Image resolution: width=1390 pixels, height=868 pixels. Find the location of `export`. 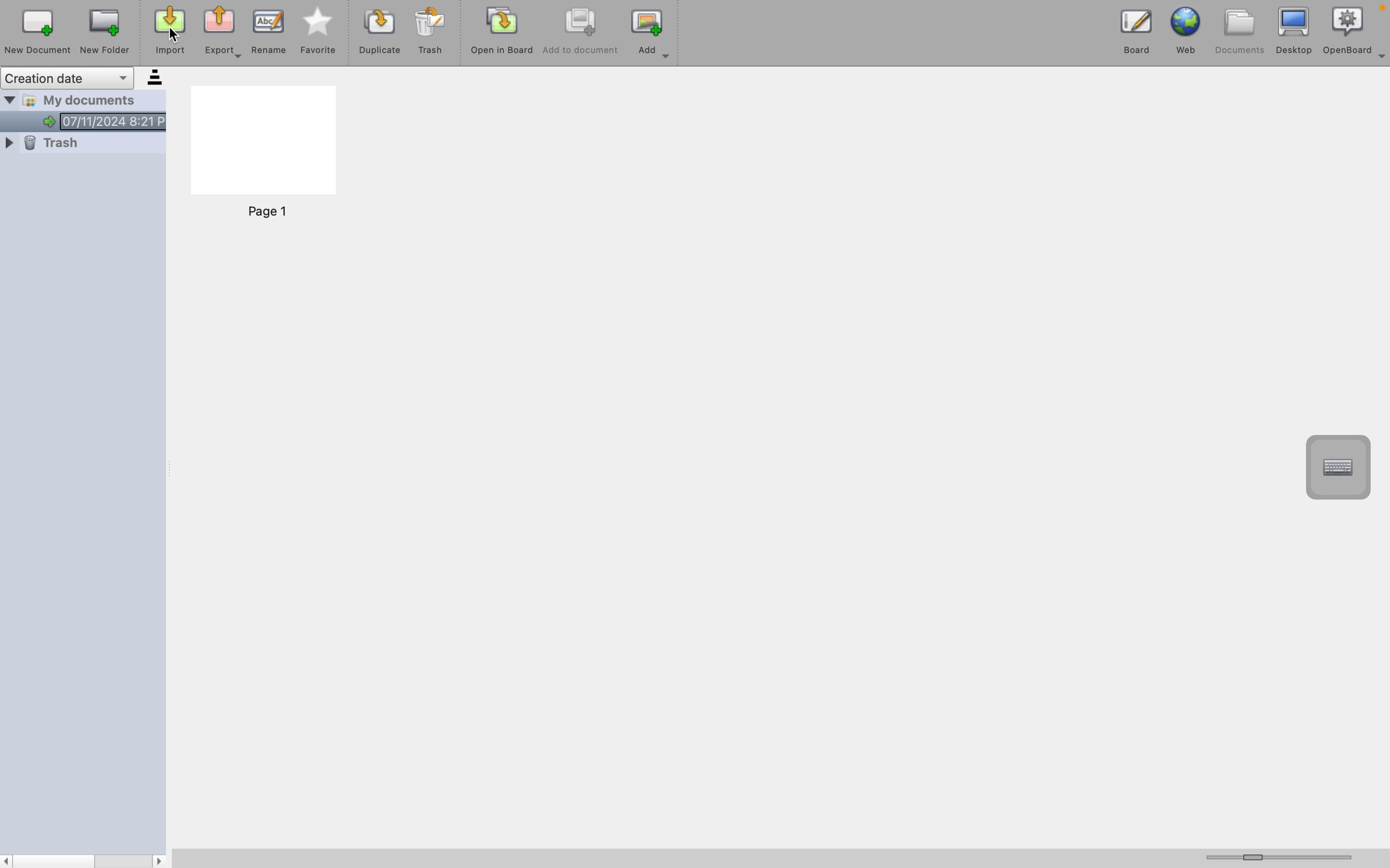

export is located at coordinates (226, 33).